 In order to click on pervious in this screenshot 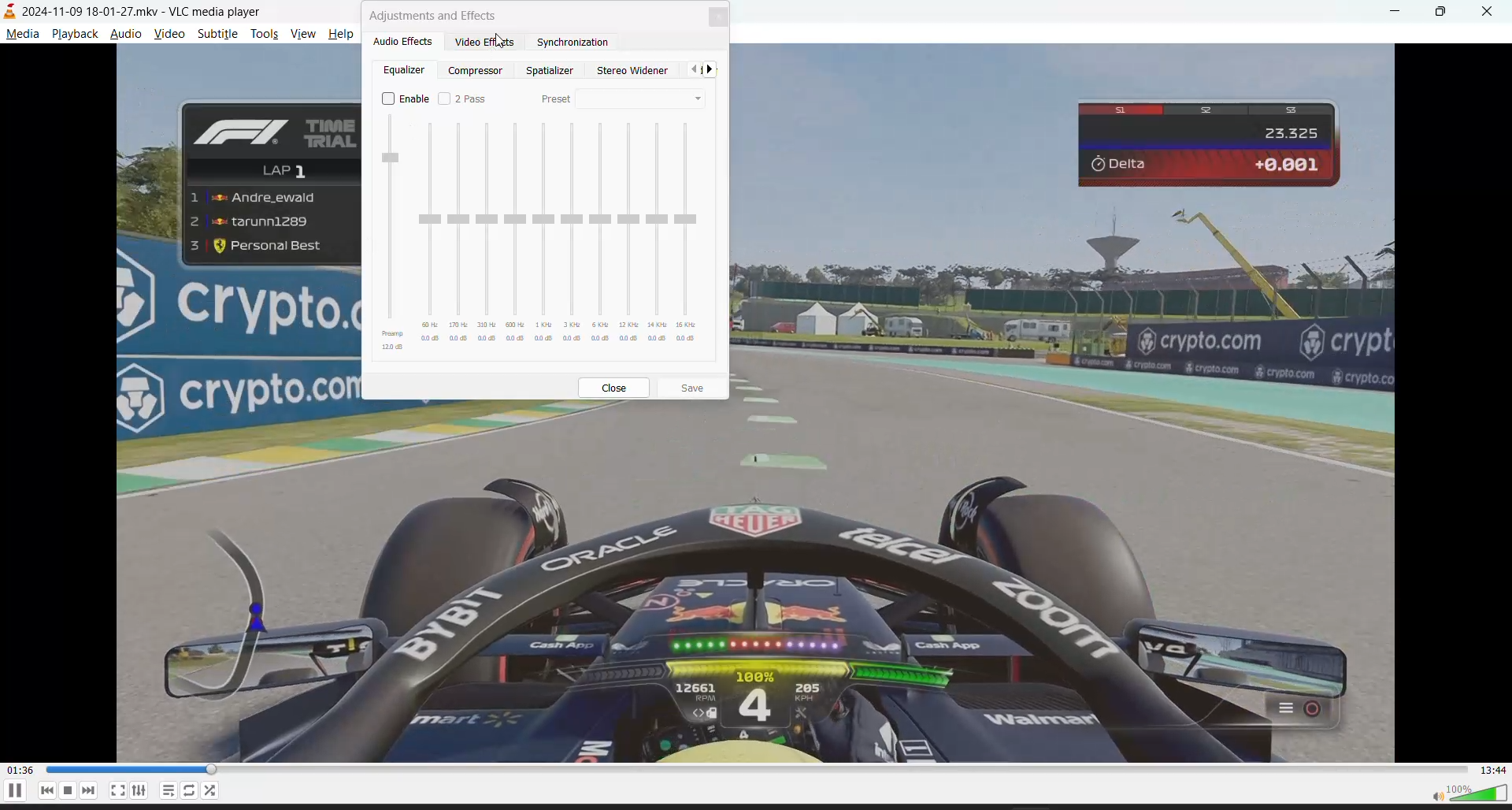, I will do `click(689, 69)`.